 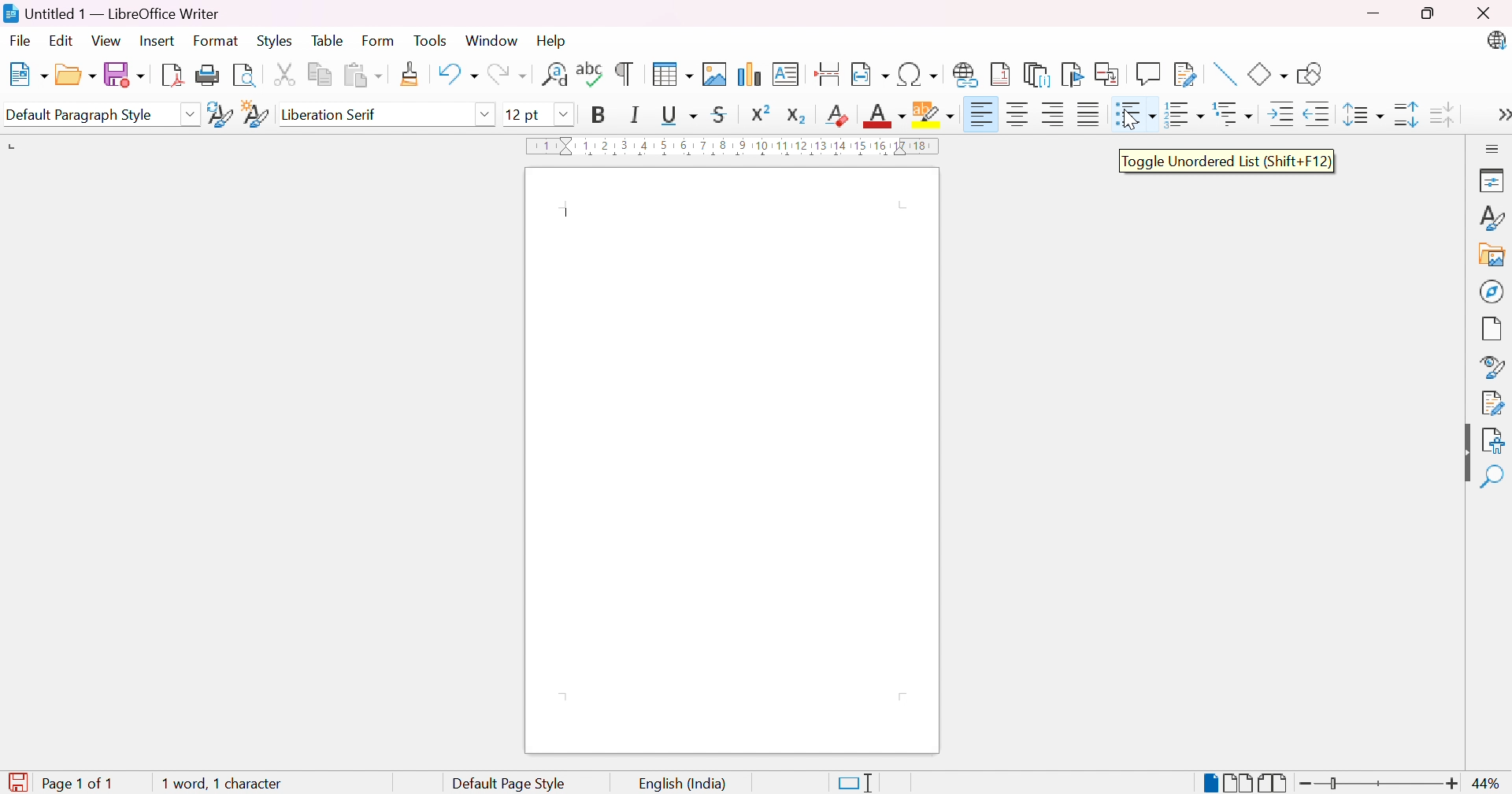 What do you see at coordinates (1495, 39) in the screenshot?
I see `LibreOffice update available` at bounding box center [1495, 39].